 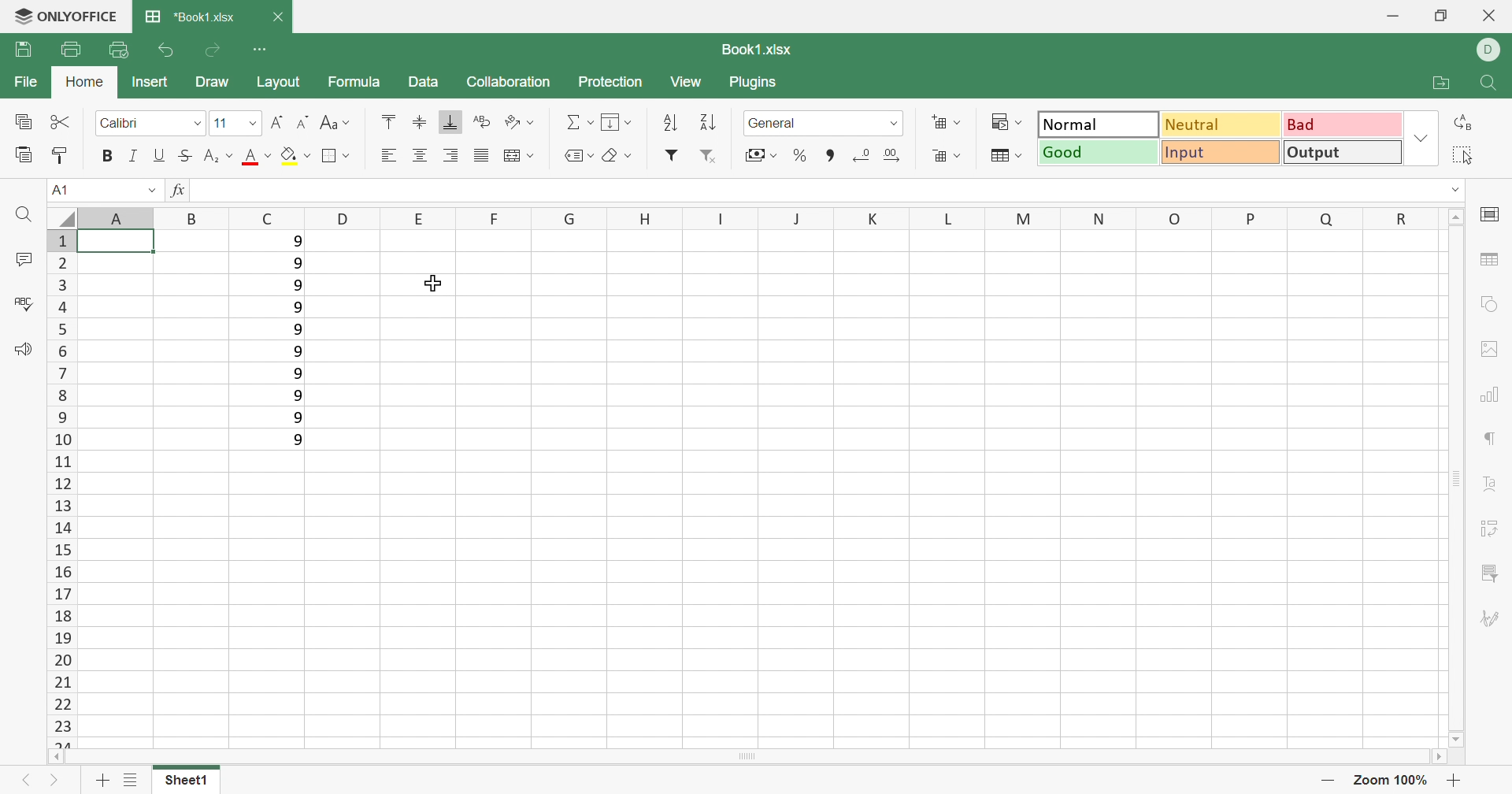 What do you see at coordinates (191, 781) in the screenshot?
I see `Sheet1` at bounding box center [191, 781].